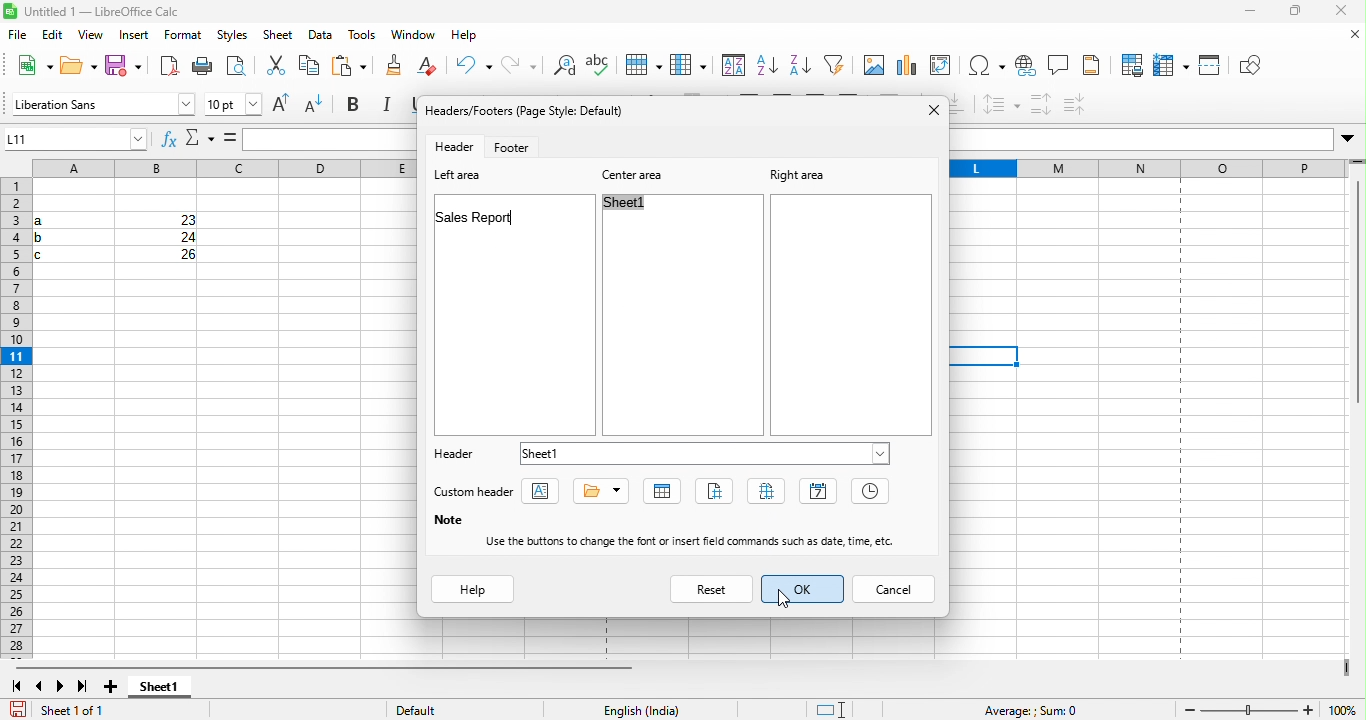  Describe the element at coordinates (307, 68) in the screenshot. I see `paste` at that location.